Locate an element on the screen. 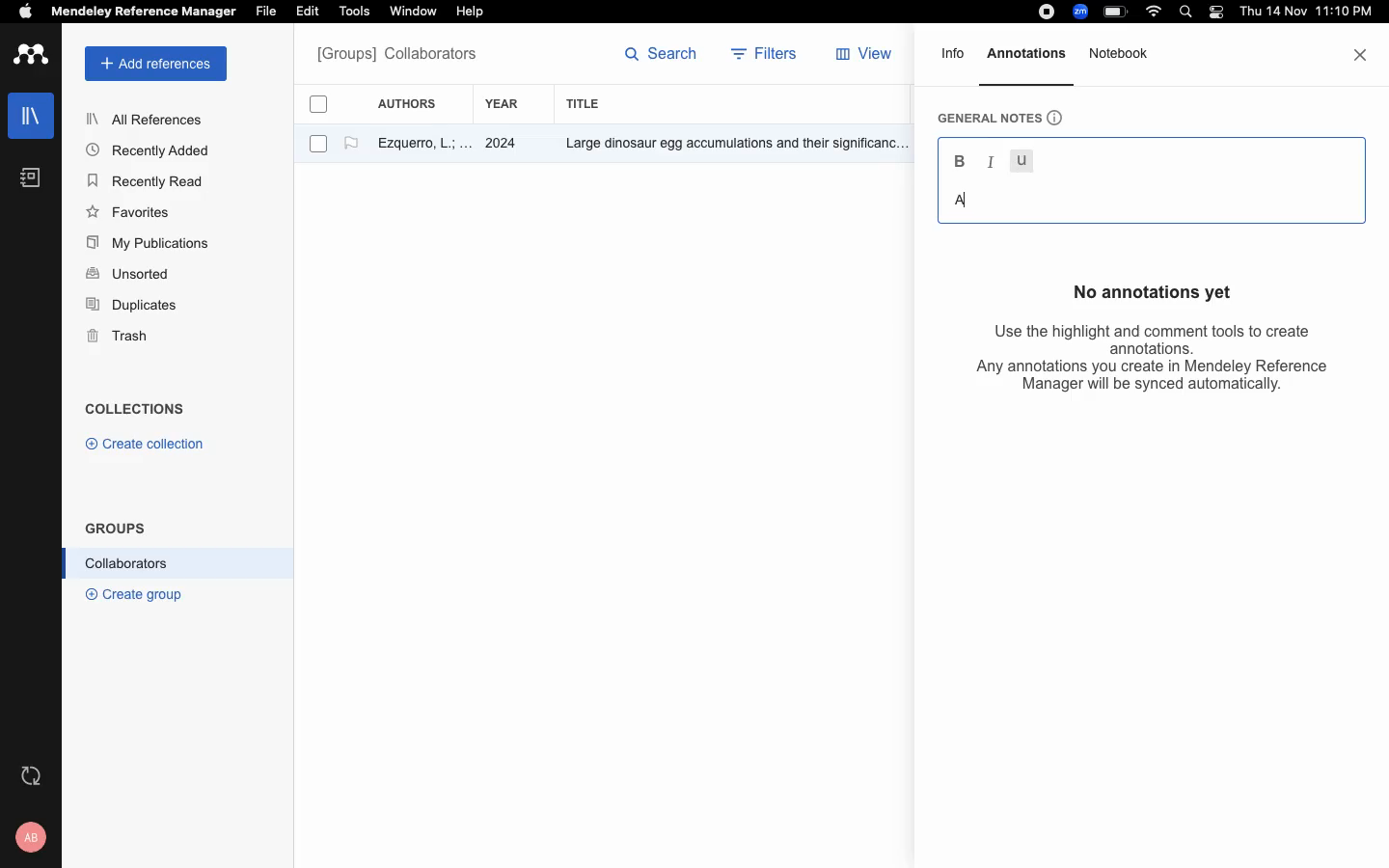  All references is located at coordinates (396, 56).